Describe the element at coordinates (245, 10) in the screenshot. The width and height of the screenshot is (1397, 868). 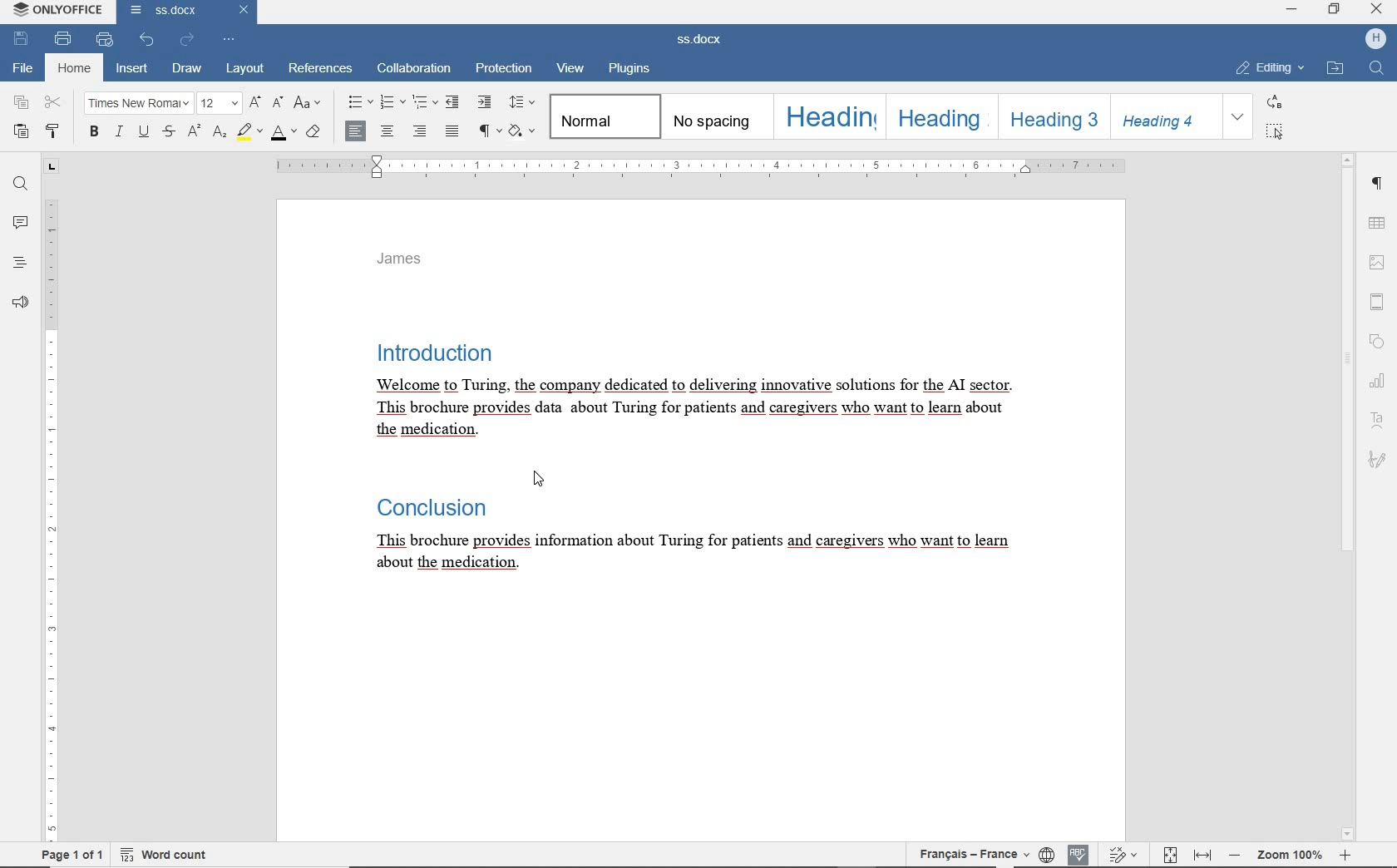
I see `close` at that location.